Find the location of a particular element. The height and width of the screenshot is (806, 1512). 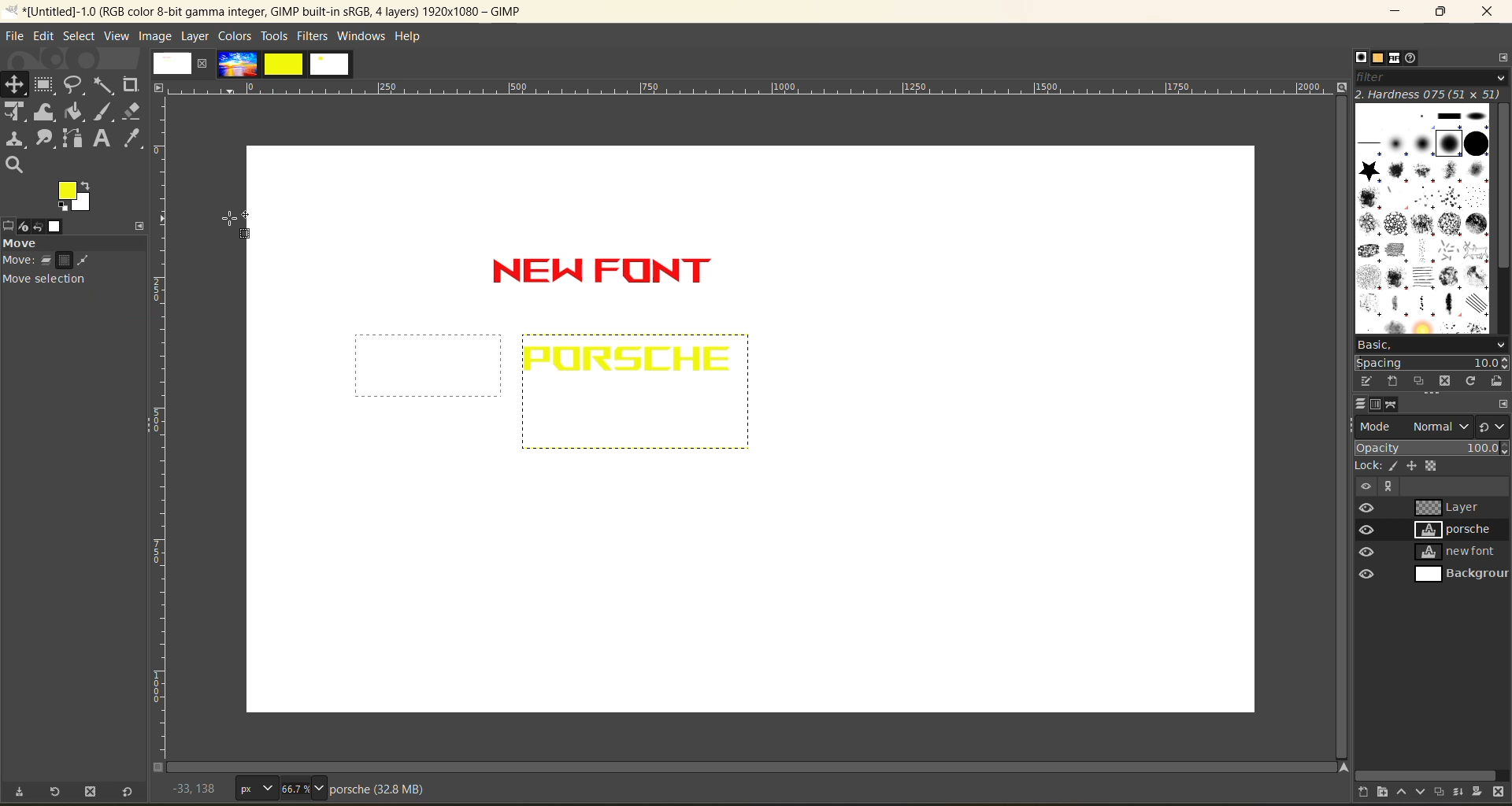

create a duplicate is located at coordinates (1440, 791).